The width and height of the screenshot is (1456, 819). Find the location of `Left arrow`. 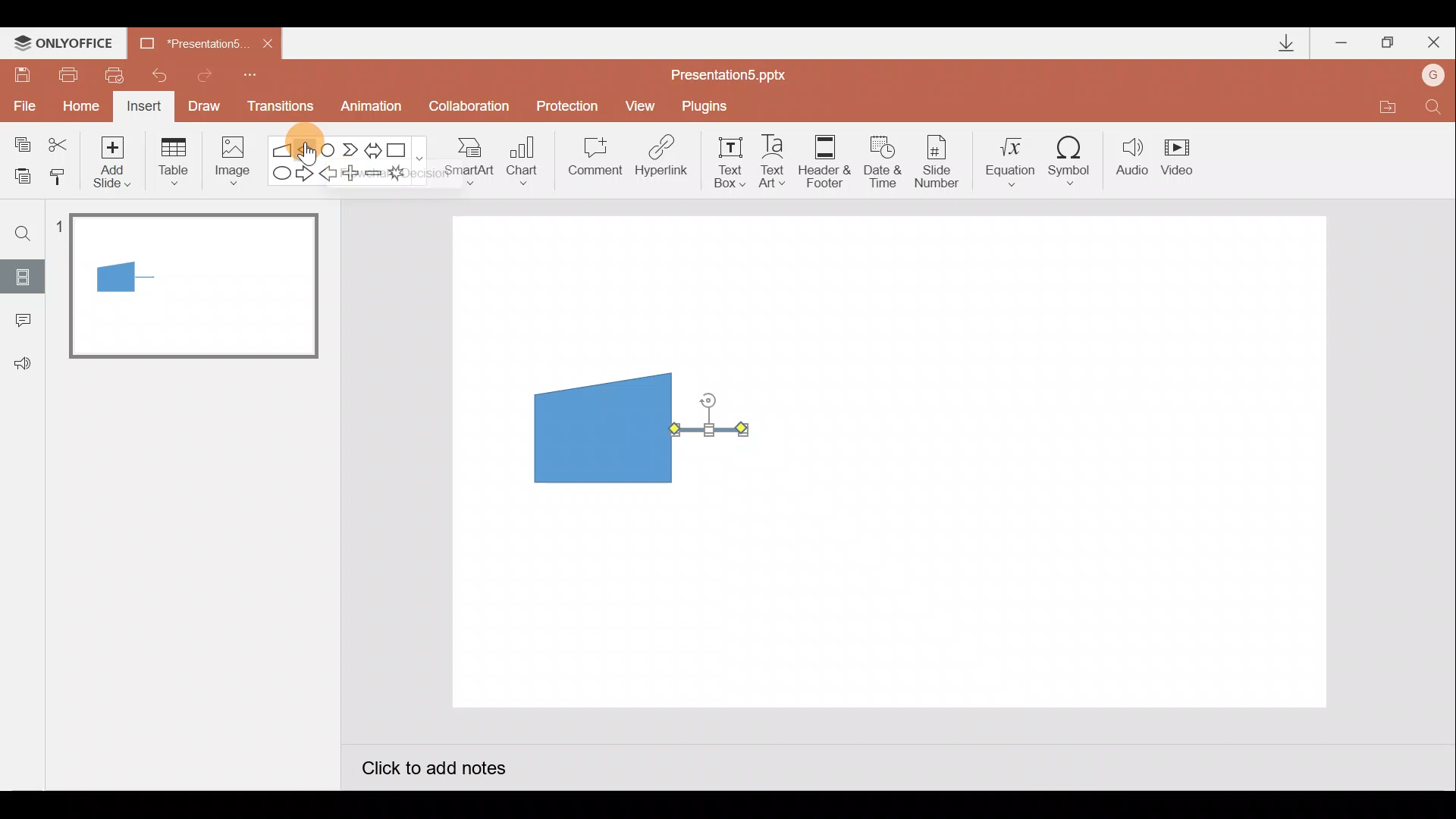

Left arrow is located at coordinates (329, 175).